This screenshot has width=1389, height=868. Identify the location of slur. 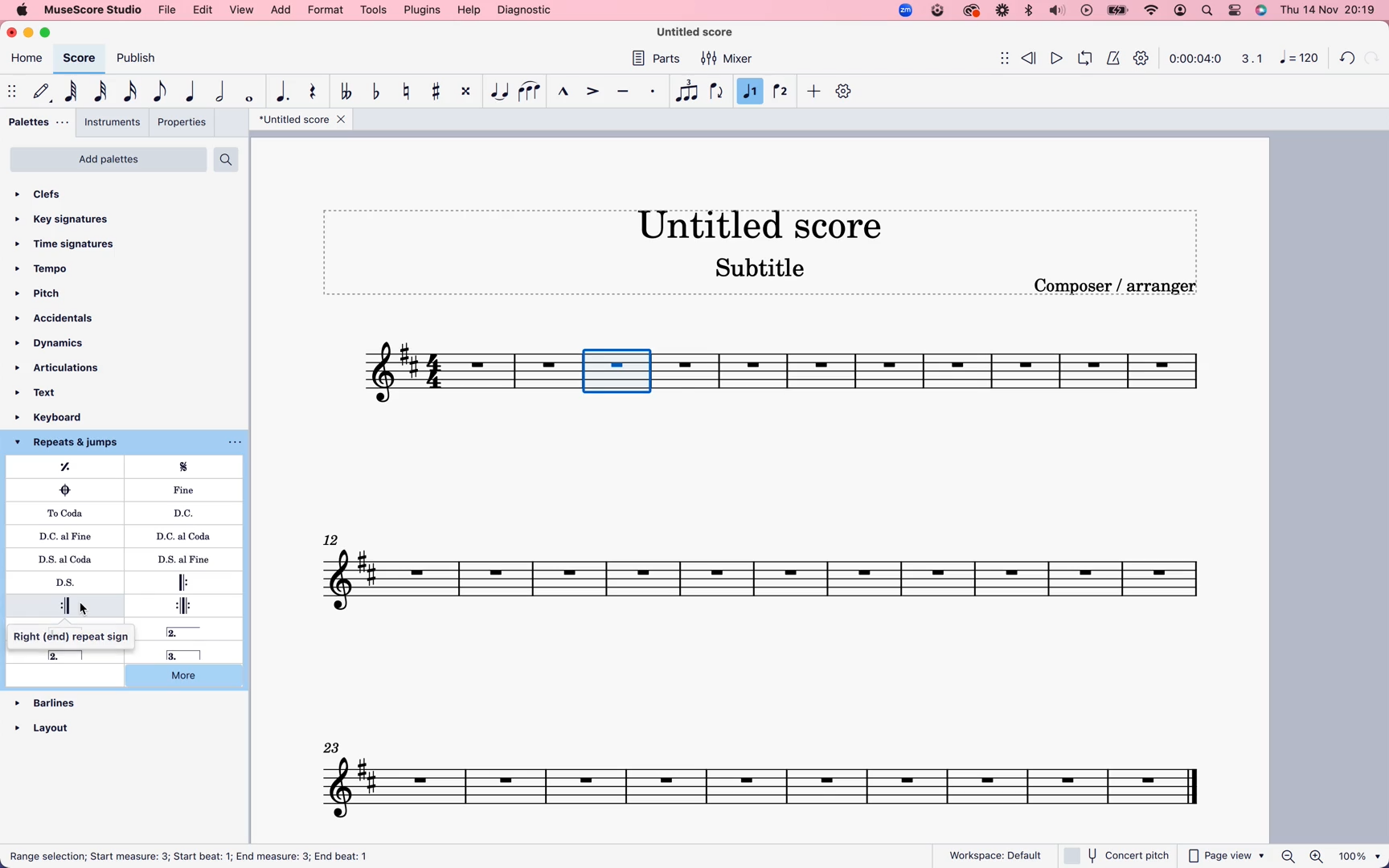
(531, 92).